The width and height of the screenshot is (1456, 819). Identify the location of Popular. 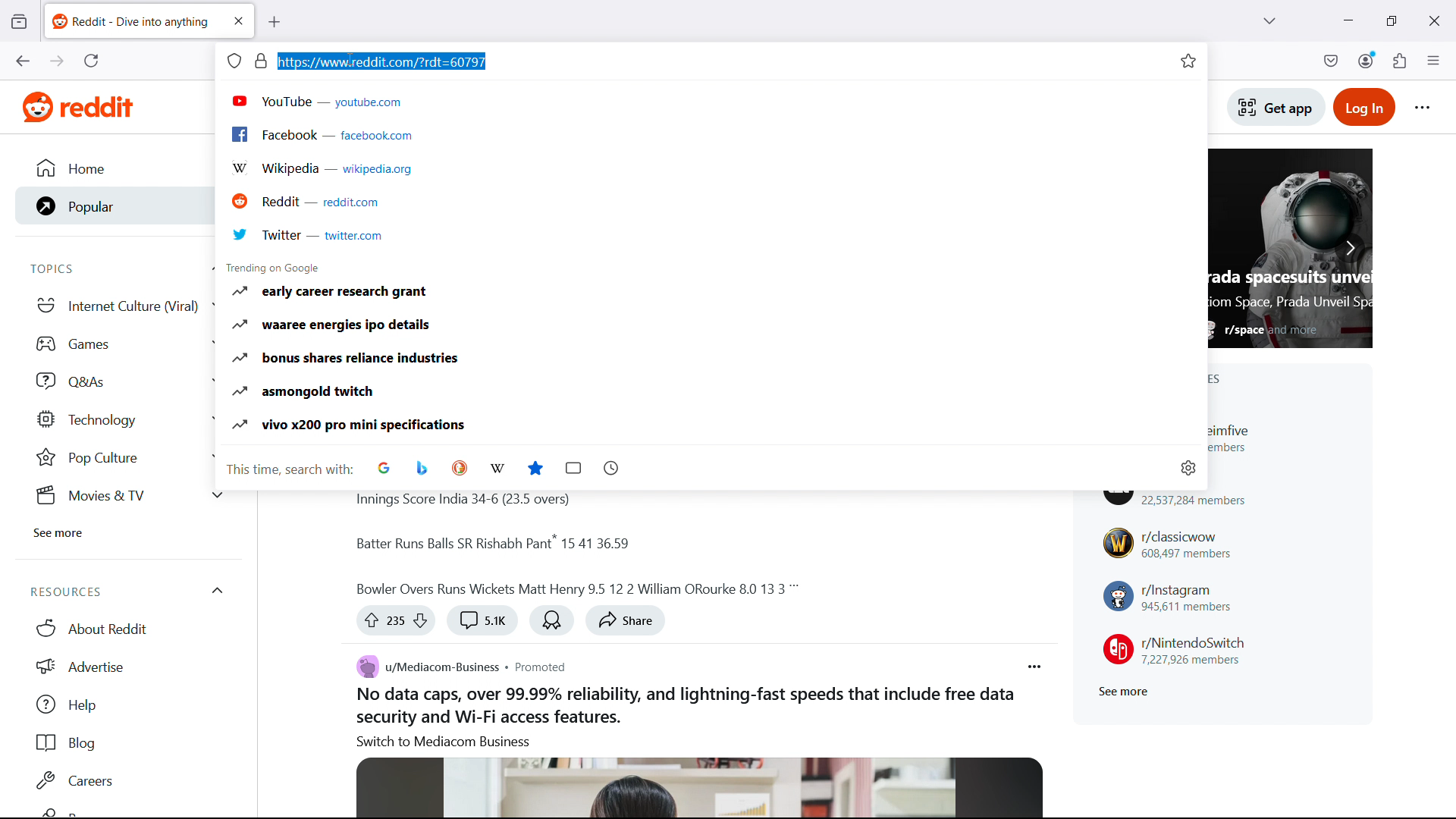
(113, 206).